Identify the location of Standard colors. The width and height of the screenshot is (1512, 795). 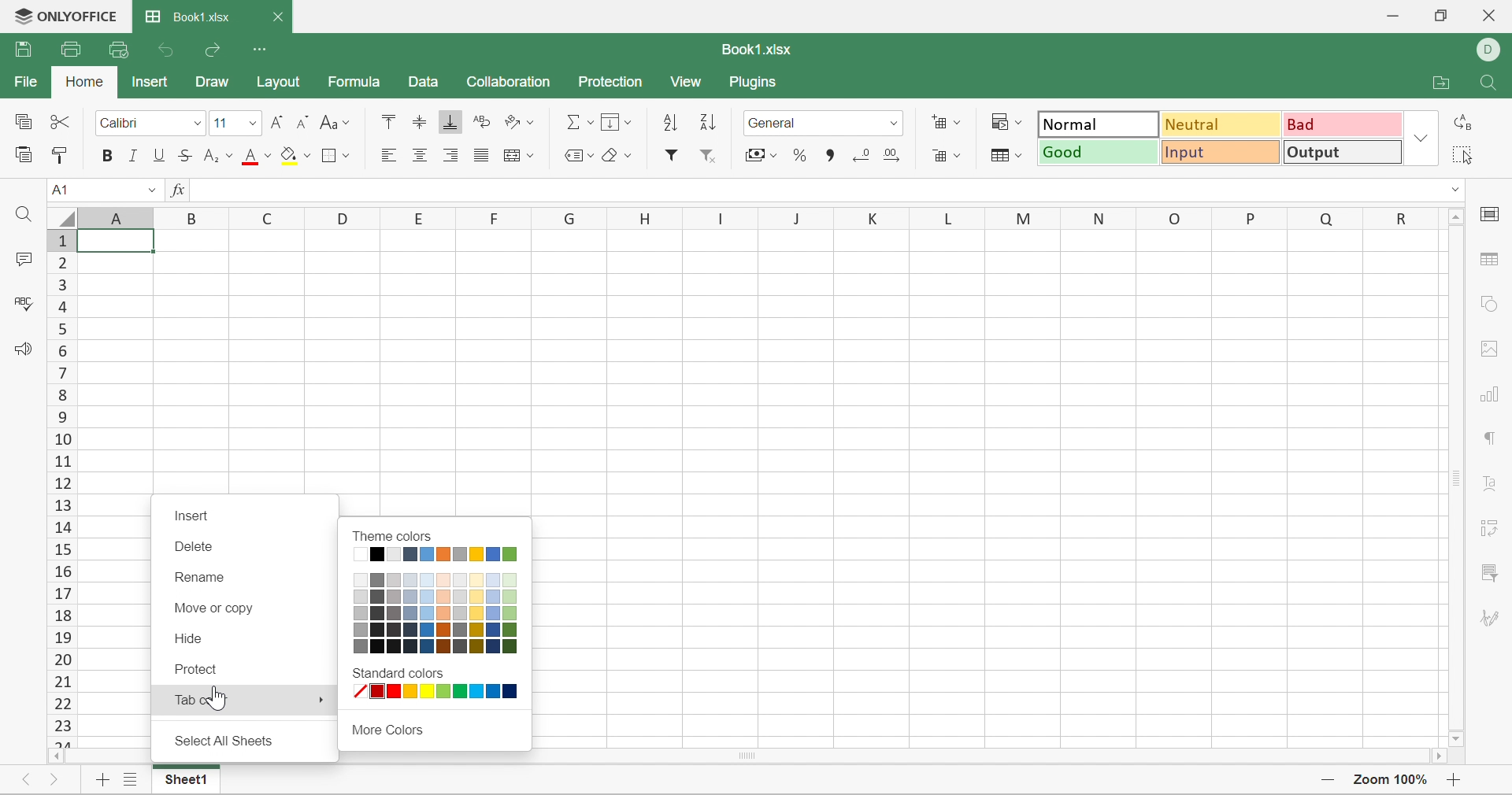
(439, 695).